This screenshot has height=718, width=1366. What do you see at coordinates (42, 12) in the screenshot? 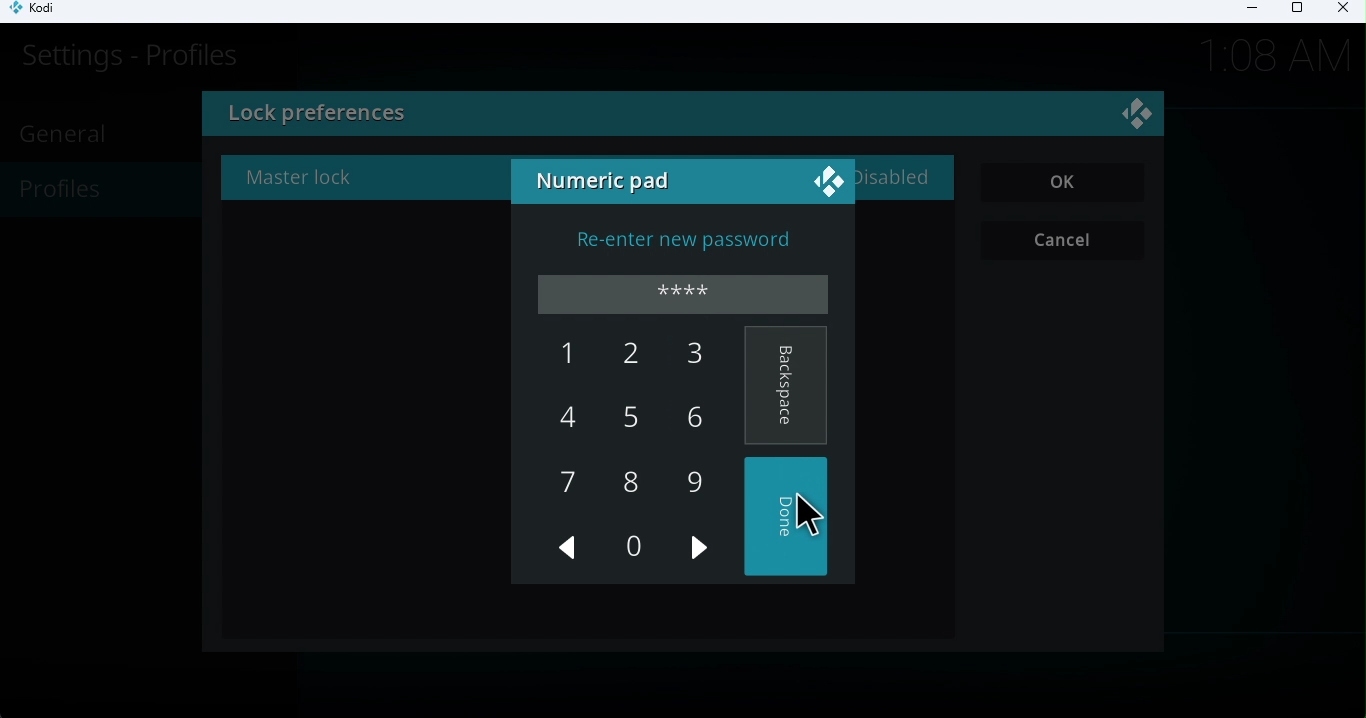
I see `Kodi icon` at bounding box center [42, 12].